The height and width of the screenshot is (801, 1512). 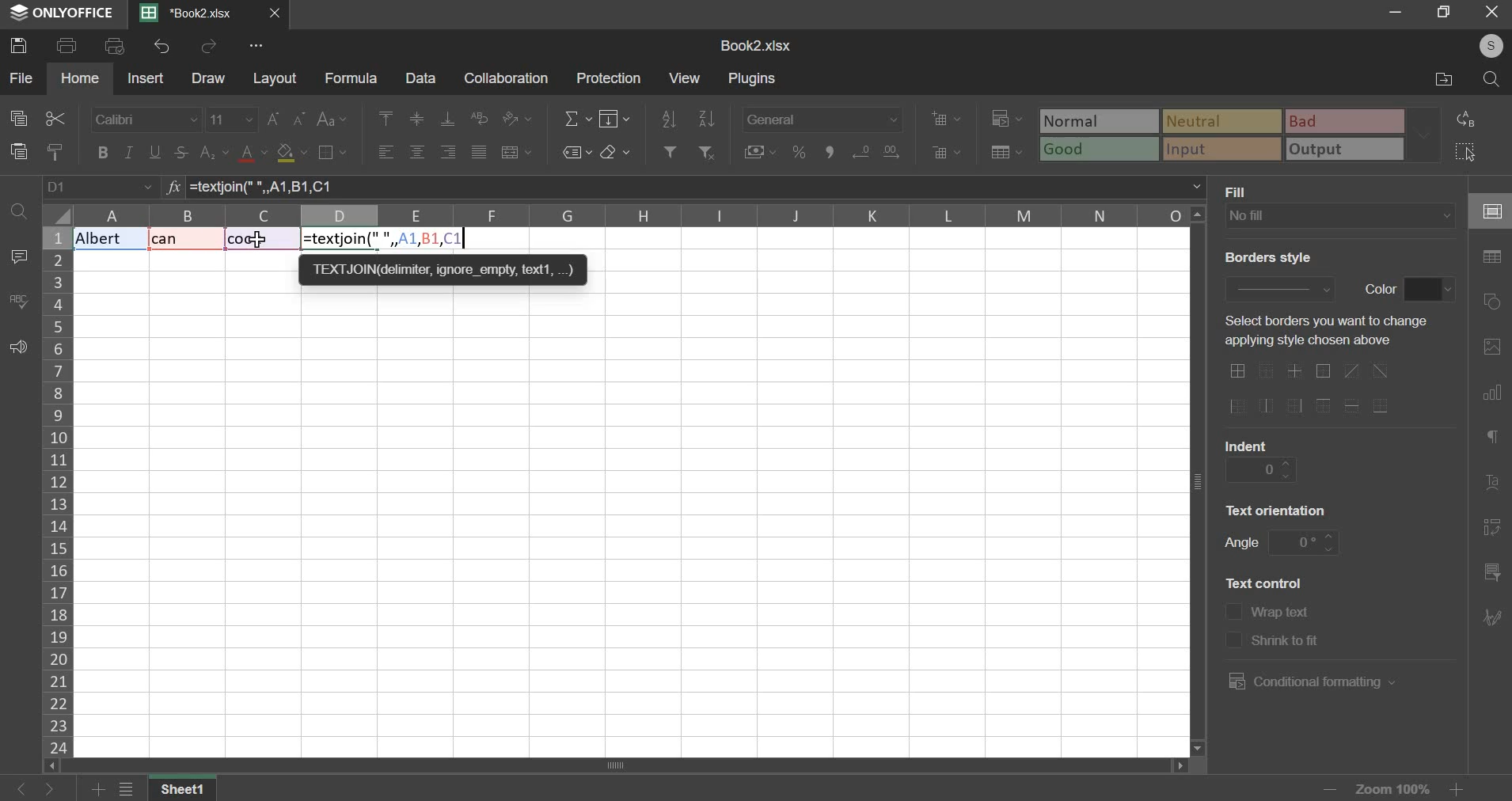 I want to click on formula, so click(x=171, y=188).